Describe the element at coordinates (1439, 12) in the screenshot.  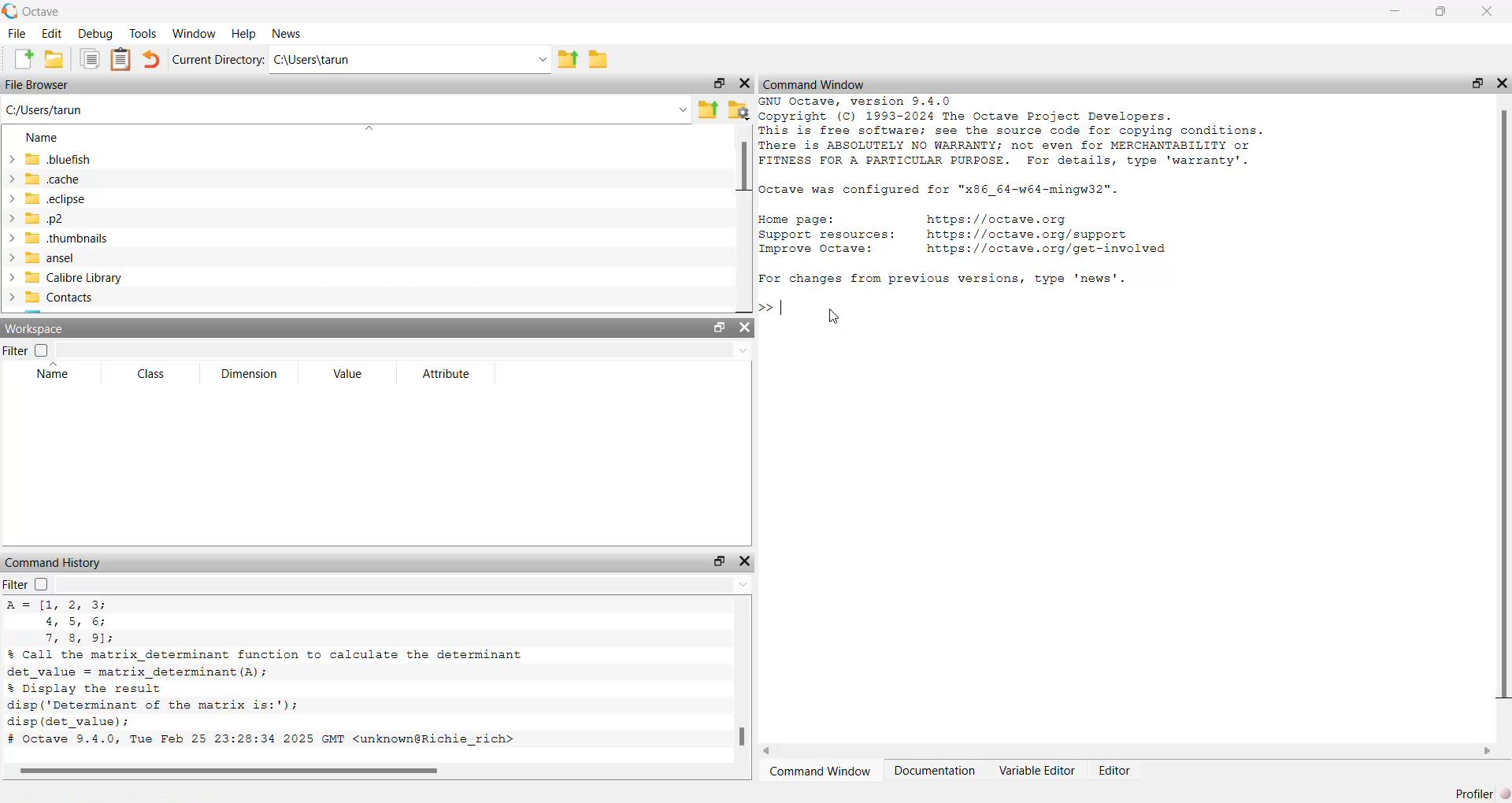
I see `maximize` at that location.